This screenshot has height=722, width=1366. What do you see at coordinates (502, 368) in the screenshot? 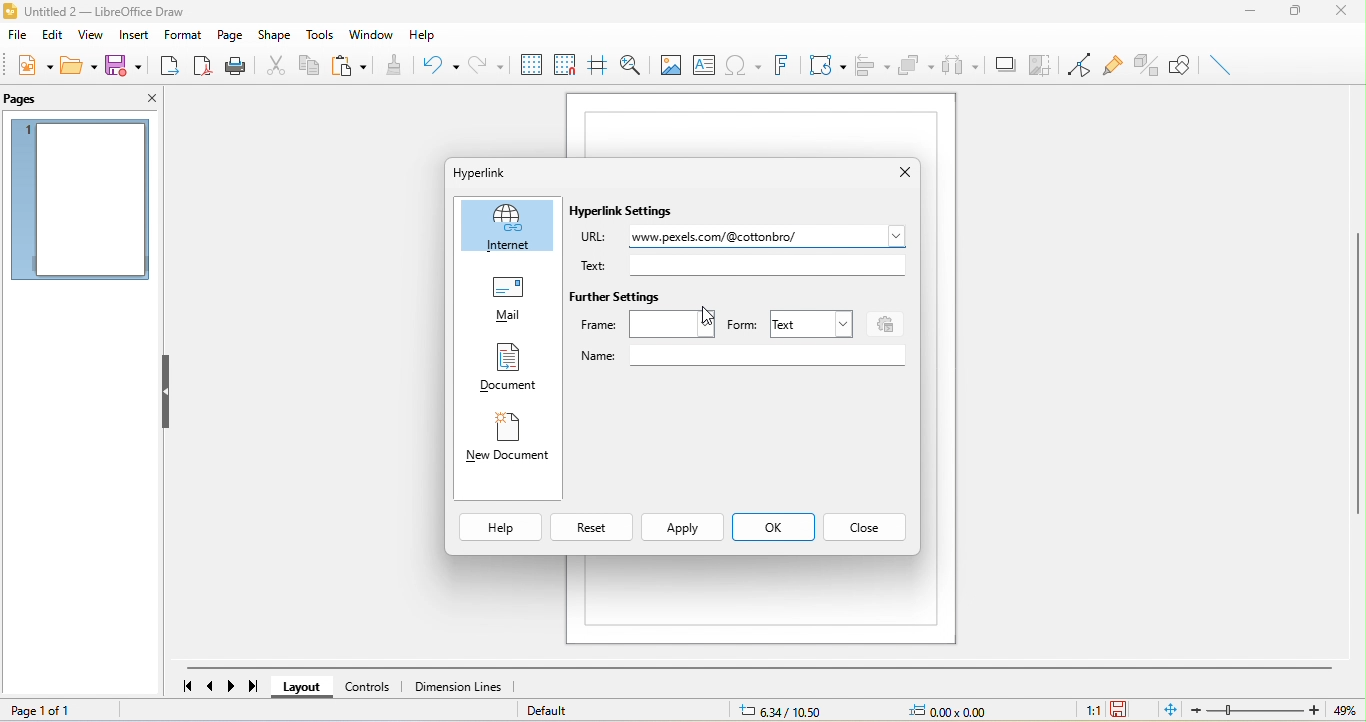
I see `document` at bounding box center [502, 368].